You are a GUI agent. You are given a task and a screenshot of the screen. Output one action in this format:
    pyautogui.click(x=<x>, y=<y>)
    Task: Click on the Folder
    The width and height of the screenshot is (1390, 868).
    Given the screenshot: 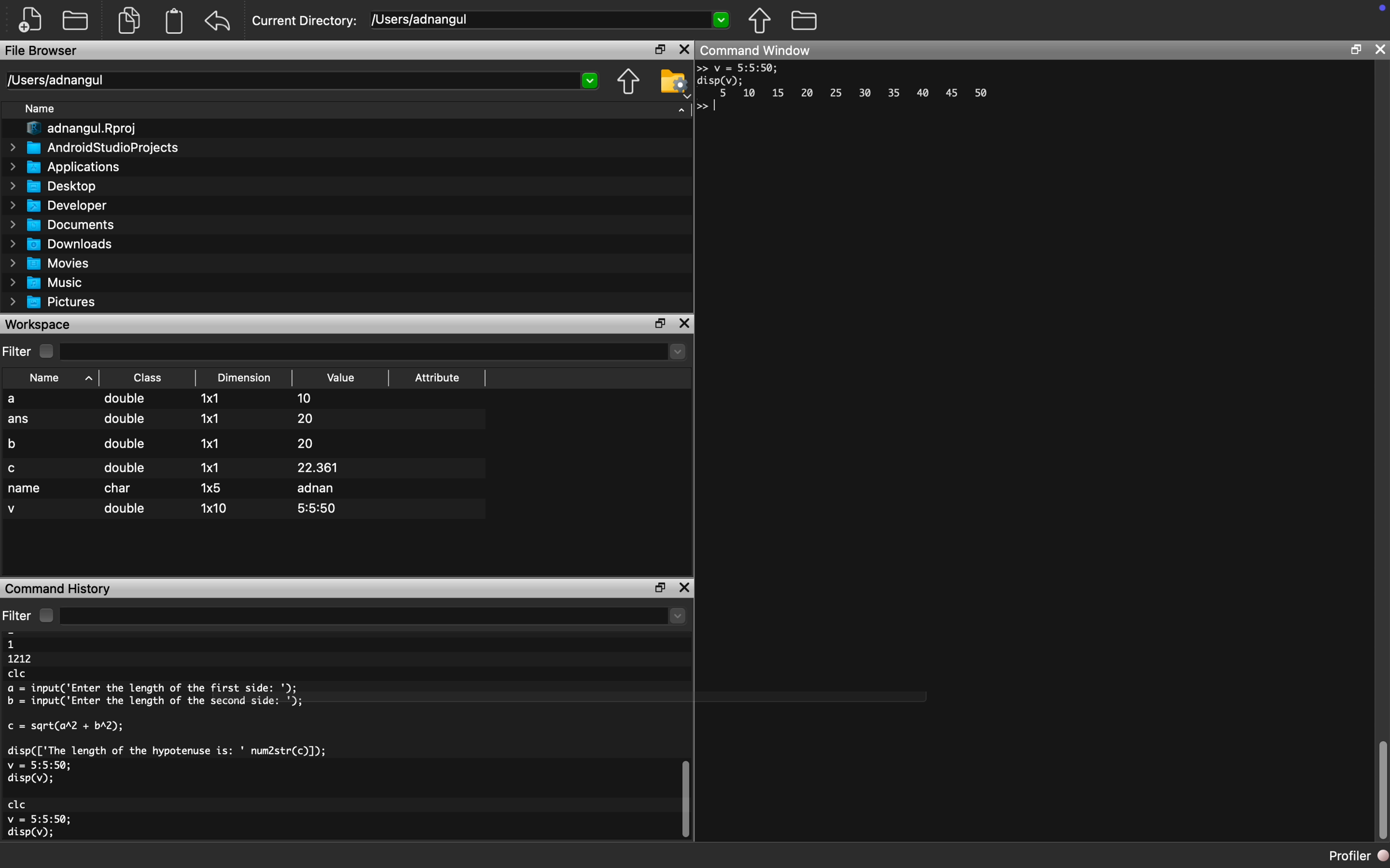 What is the action you would take?
    pyautogui.click(x=805, y=21)
    